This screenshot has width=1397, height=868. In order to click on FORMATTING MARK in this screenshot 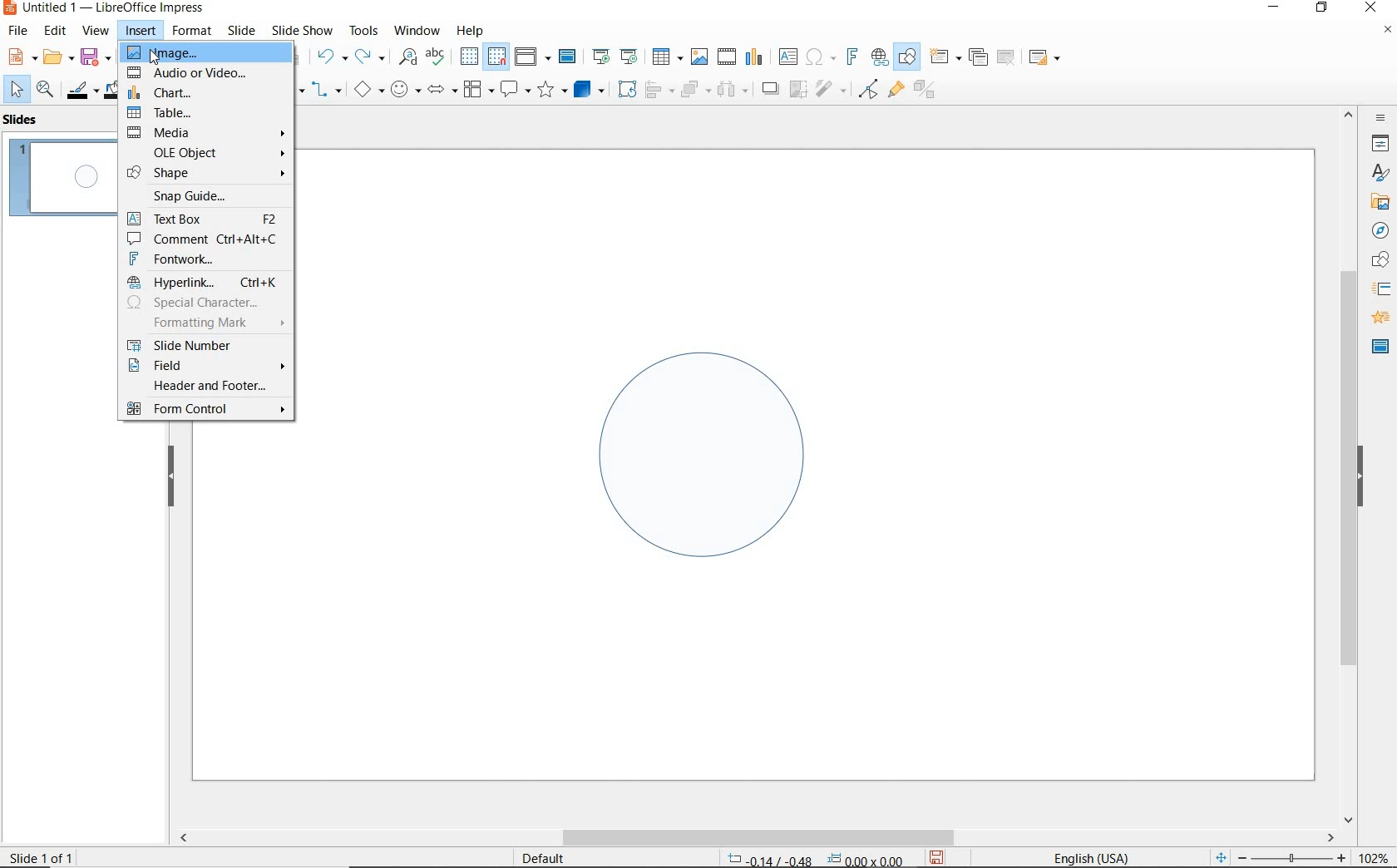, I will do `click(205, 322)`.